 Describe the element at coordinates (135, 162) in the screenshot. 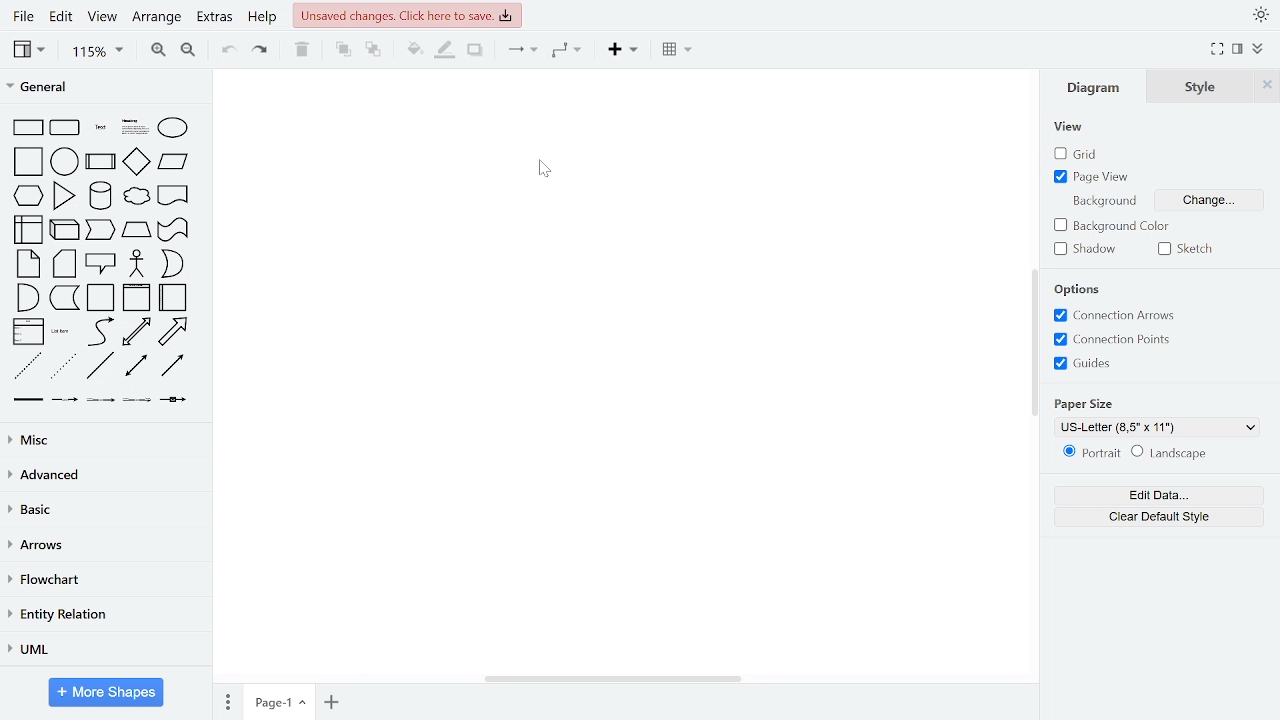

I see `diamond` at that location.